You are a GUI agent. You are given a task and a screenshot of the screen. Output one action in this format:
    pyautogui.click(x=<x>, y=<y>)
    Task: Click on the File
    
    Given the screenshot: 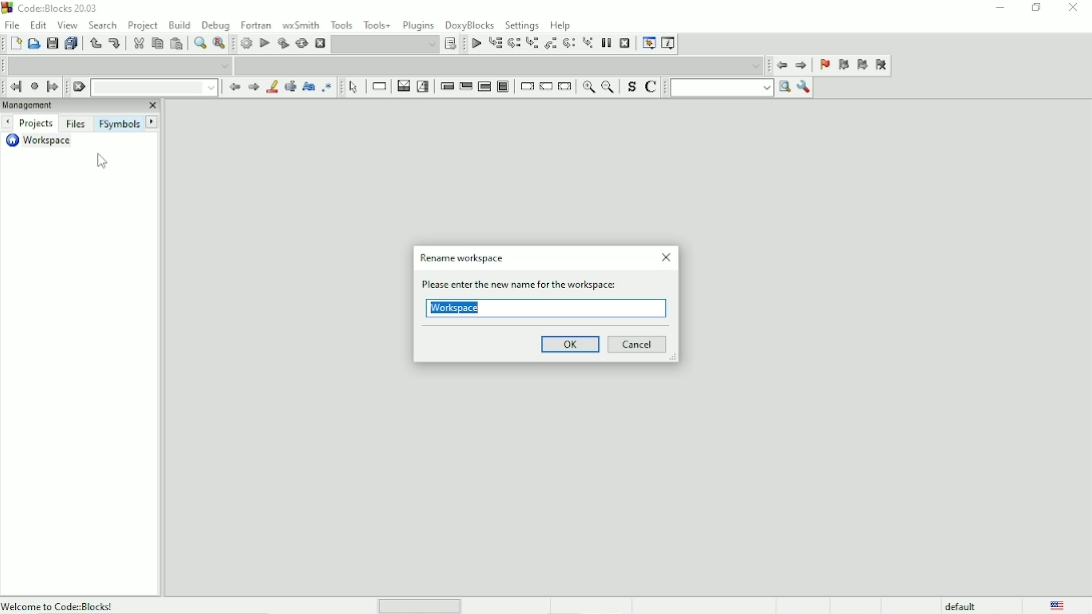 What is the action you would take?
    pyautogui.click(x=12, y=24)
    